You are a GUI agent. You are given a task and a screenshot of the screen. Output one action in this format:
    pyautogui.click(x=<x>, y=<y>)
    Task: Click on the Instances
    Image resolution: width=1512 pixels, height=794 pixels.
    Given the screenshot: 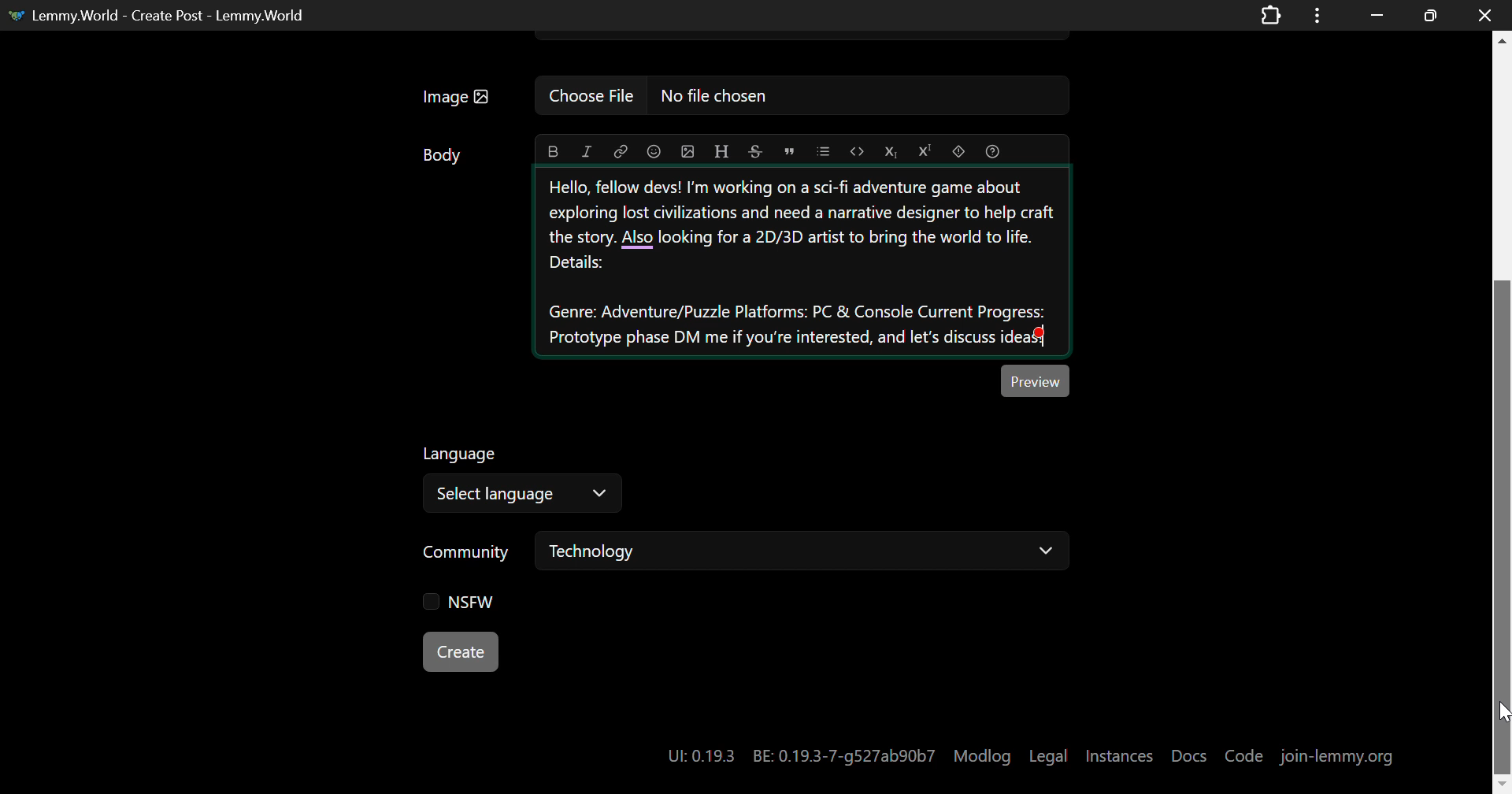 What is the action you would take?
    pyautogui.click(x=1121, y=753)
    